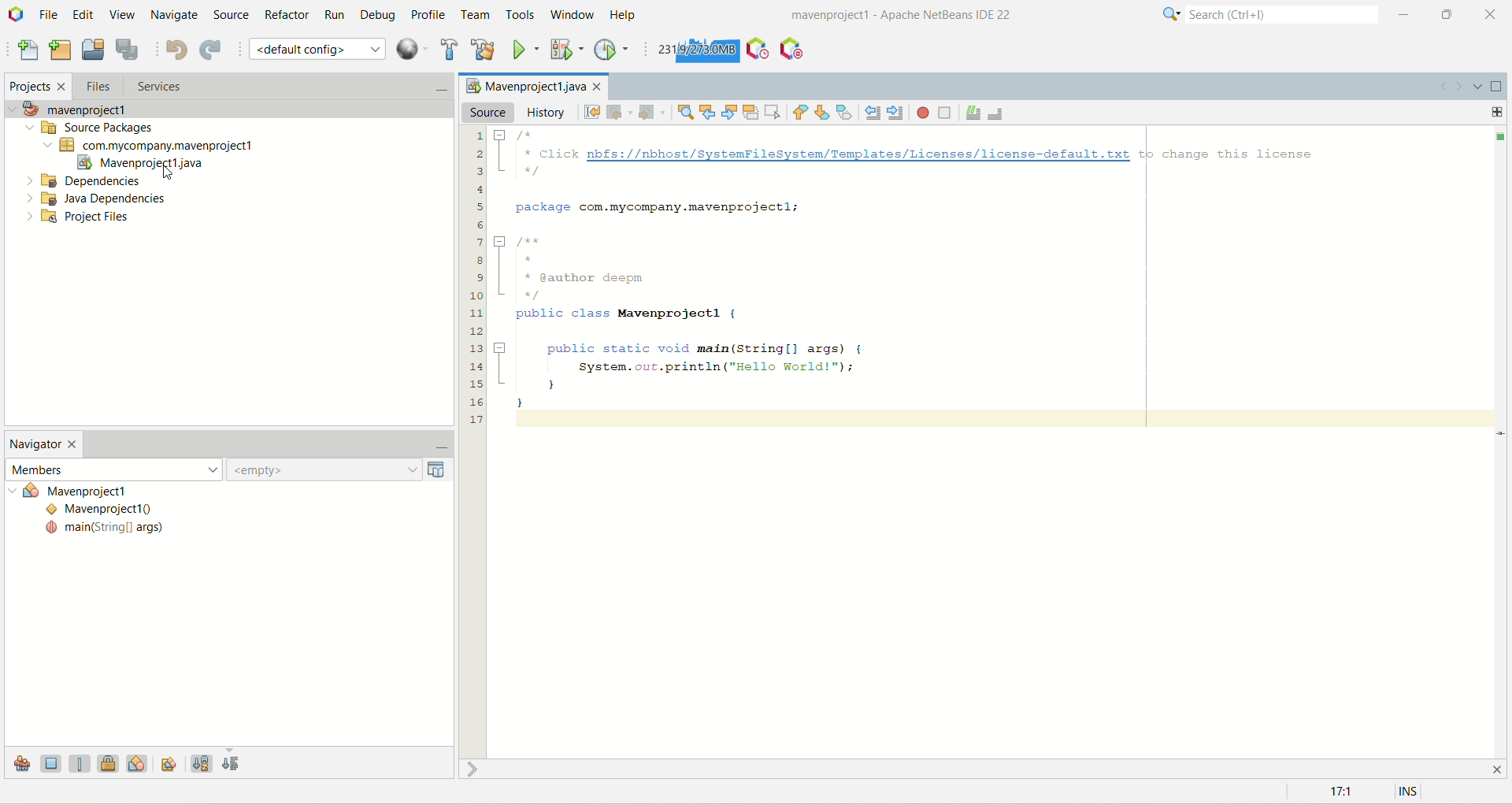 Image resolution: width=1512 pixels, height=805 pixels. What do you see at coordinates (1410, 792) in the screenshot?
I see `INS` at bounding box center [1410, 792].